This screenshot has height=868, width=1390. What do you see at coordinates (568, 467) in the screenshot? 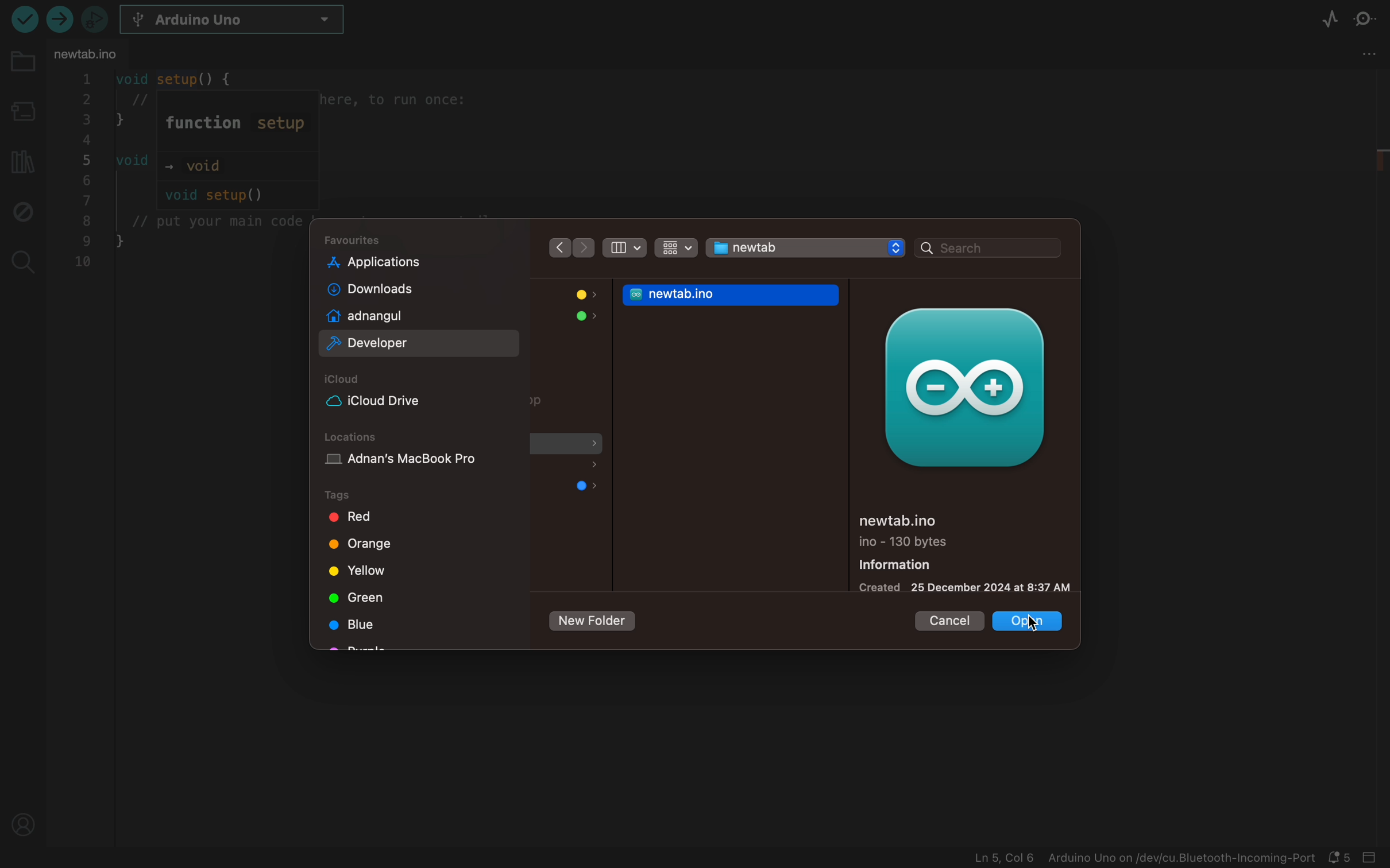
I see `file` at bounding box center [568, 467].